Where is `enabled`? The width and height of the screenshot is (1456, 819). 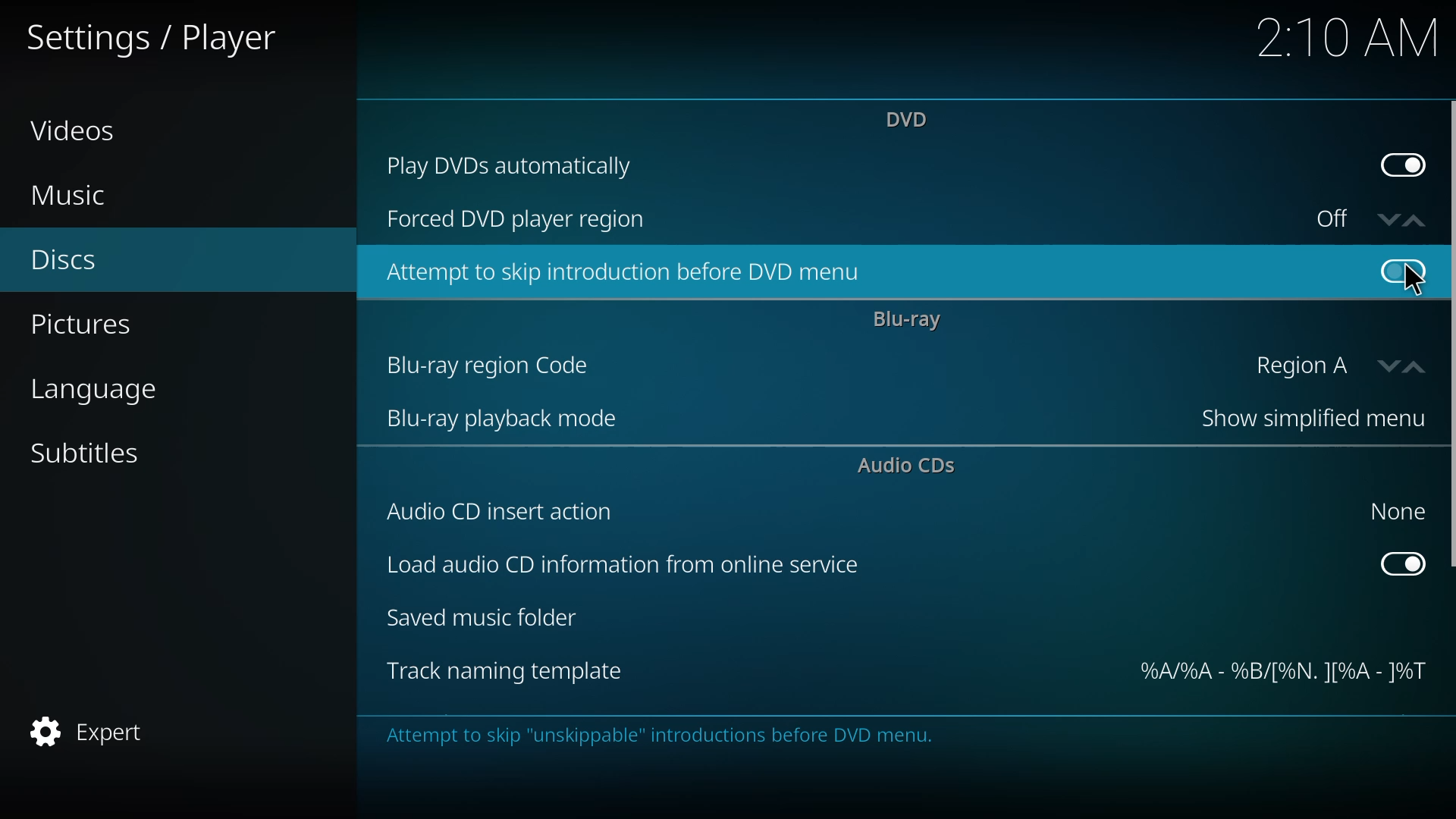
enabled is located at coordinates (1397, 564).